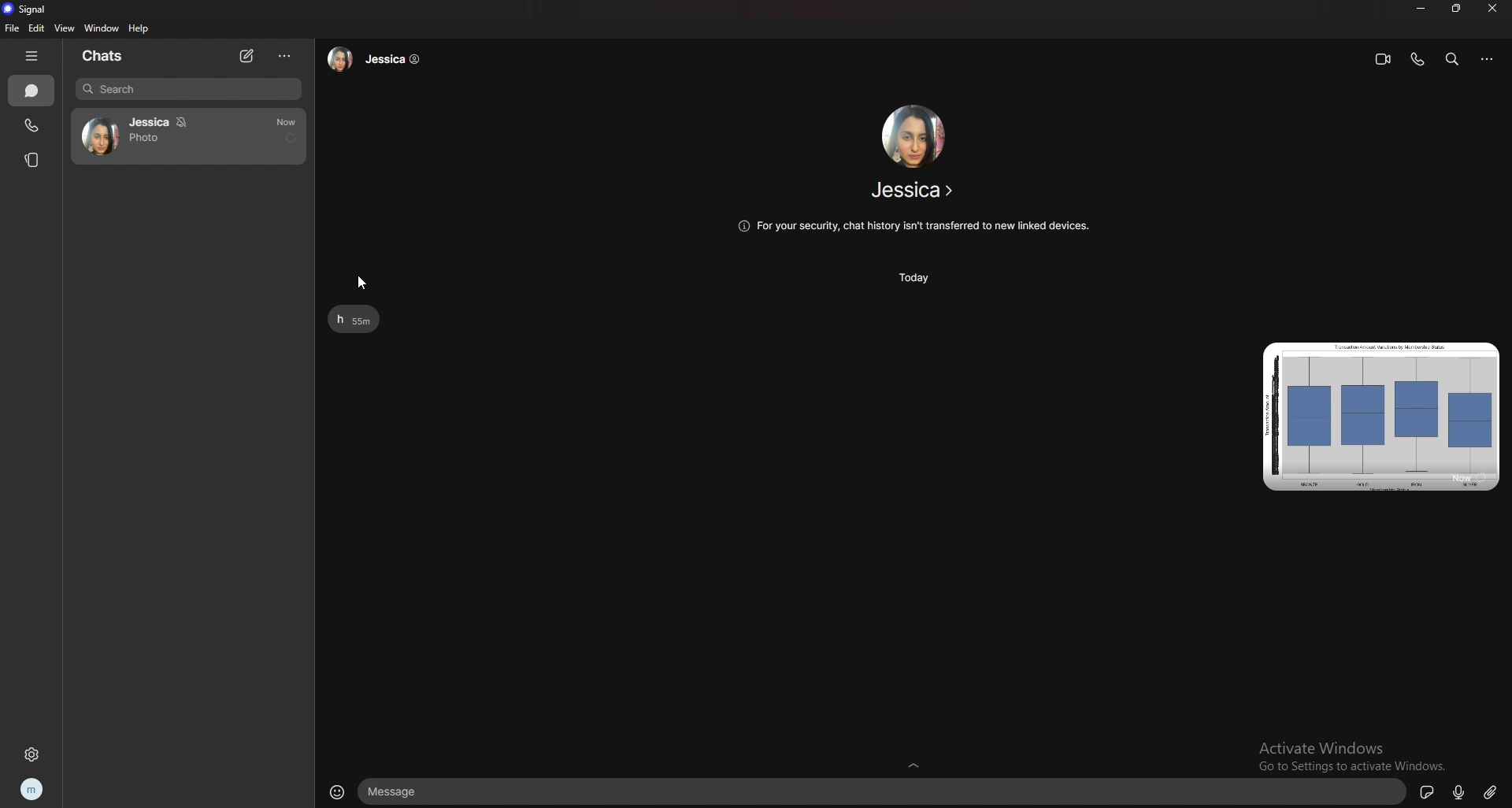  What do you see at coordinates (31, 754) in the screenshot?
I see `settings` at bounding box center [31, 754].